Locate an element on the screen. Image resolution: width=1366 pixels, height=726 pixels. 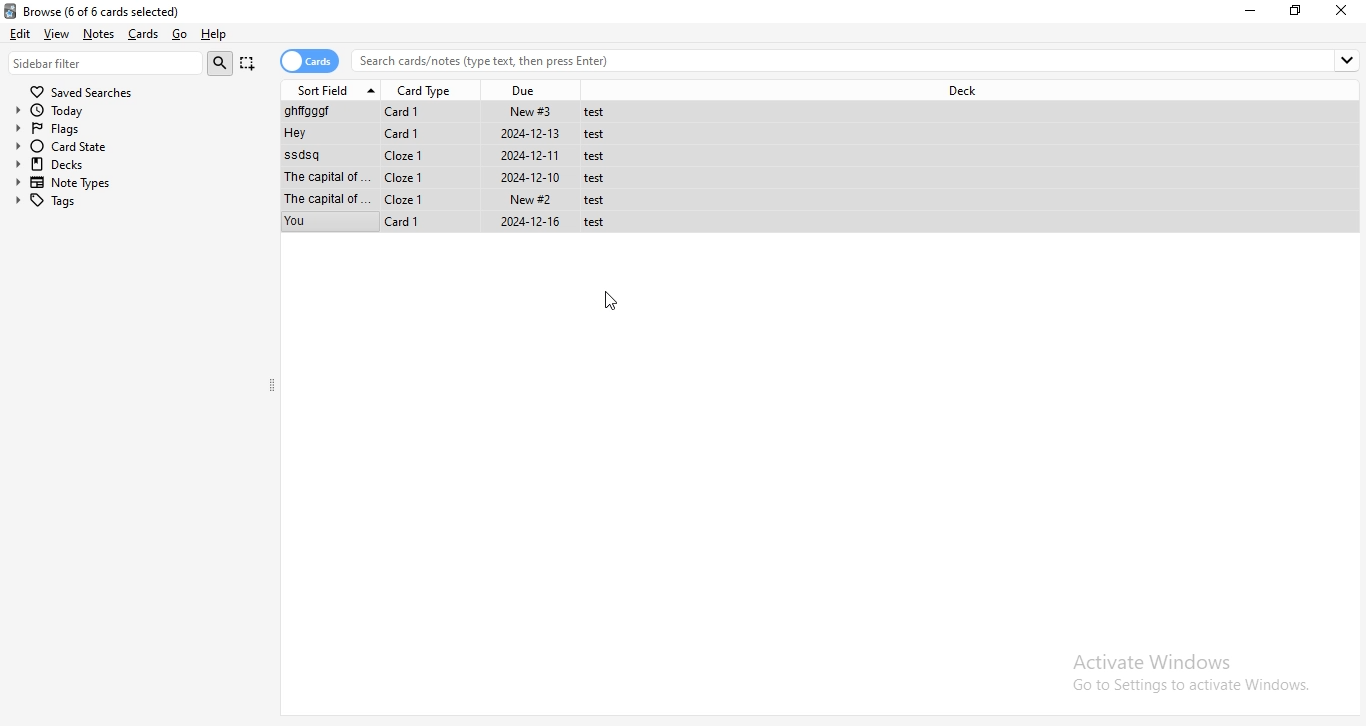
close is located at coordinates (1343, 11).